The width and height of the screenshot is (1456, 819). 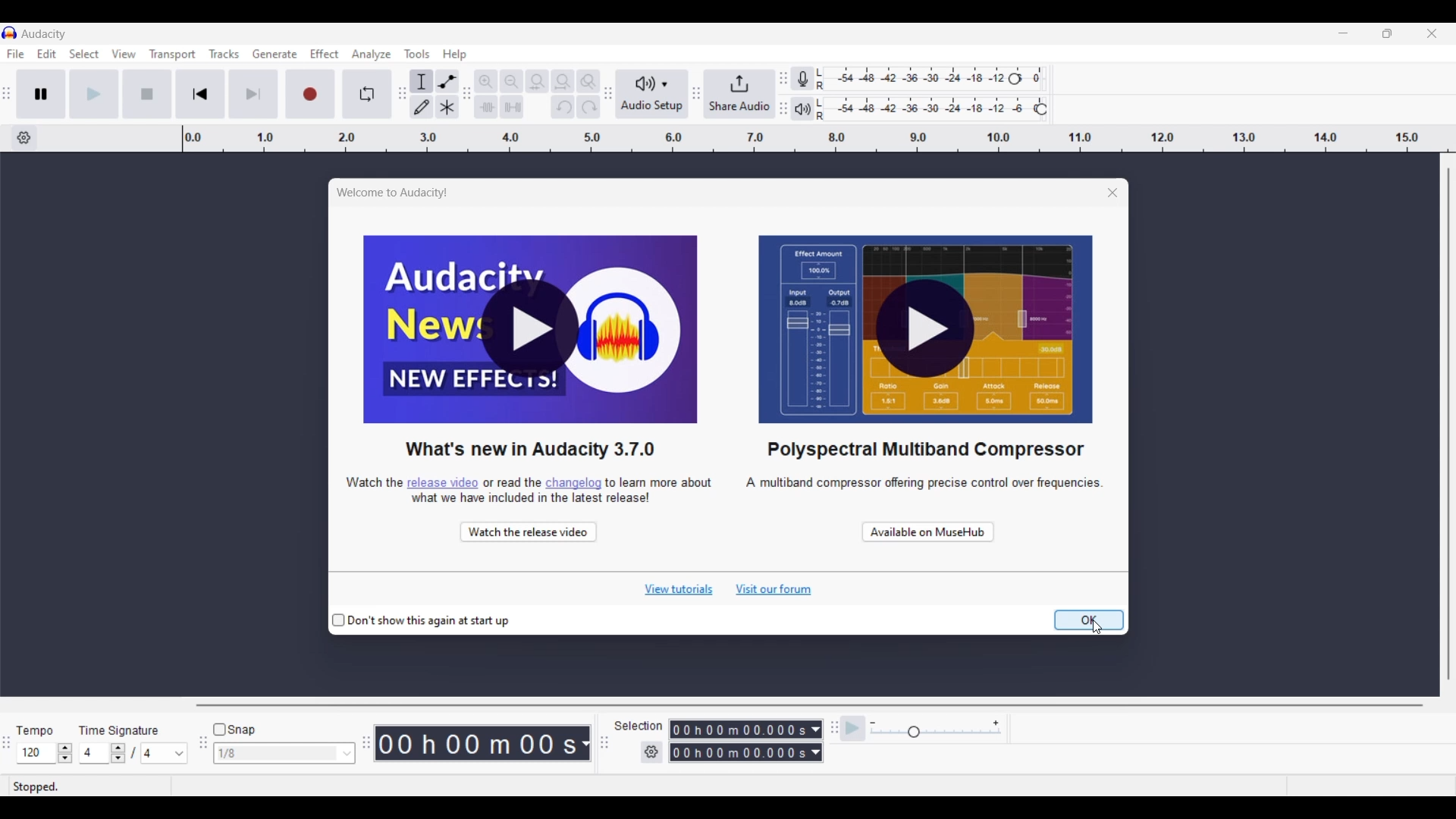 I want to click on Minimum playback speed, so click(x=873, y=723).